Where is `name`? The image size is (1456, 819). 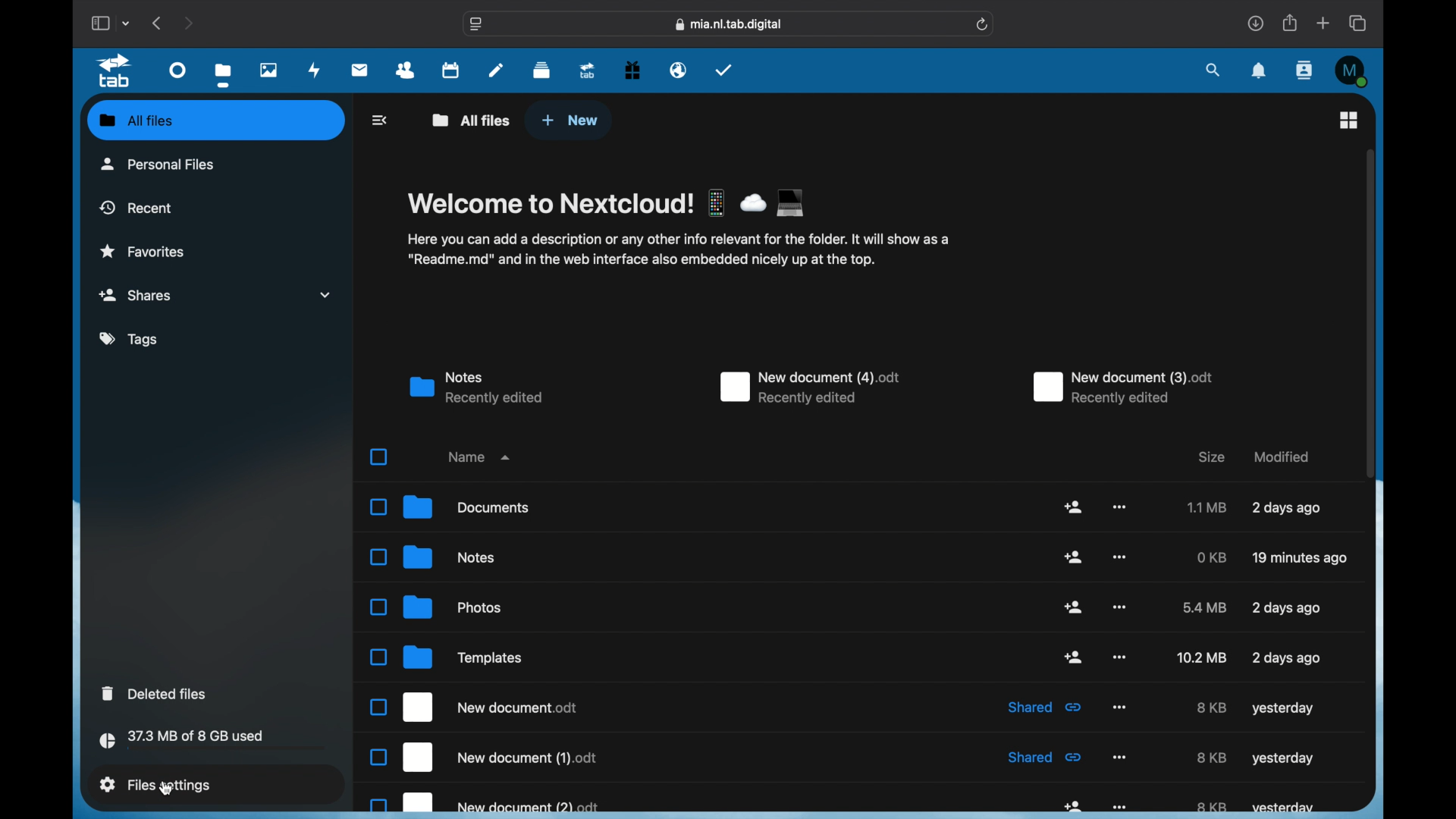 name is located at coordinates (479, 456).